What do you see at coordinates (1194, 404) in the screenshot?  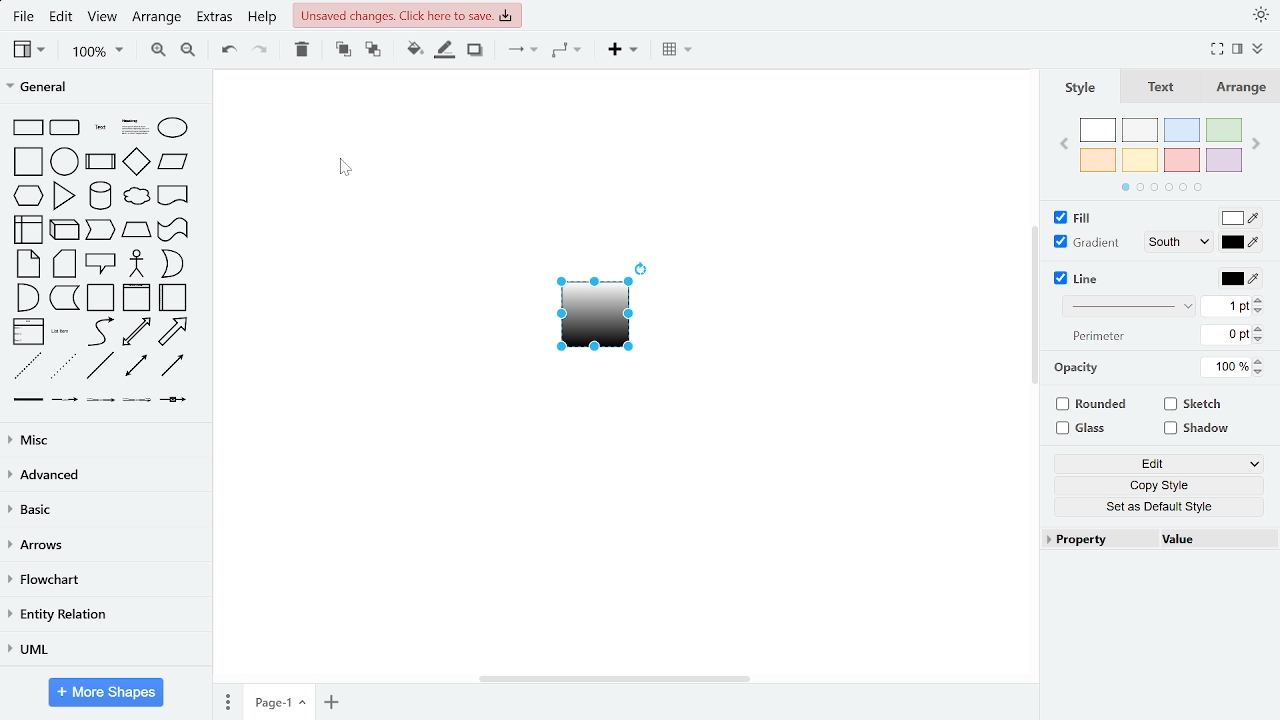 I see `sketch` at bounding box center [1194, 404].